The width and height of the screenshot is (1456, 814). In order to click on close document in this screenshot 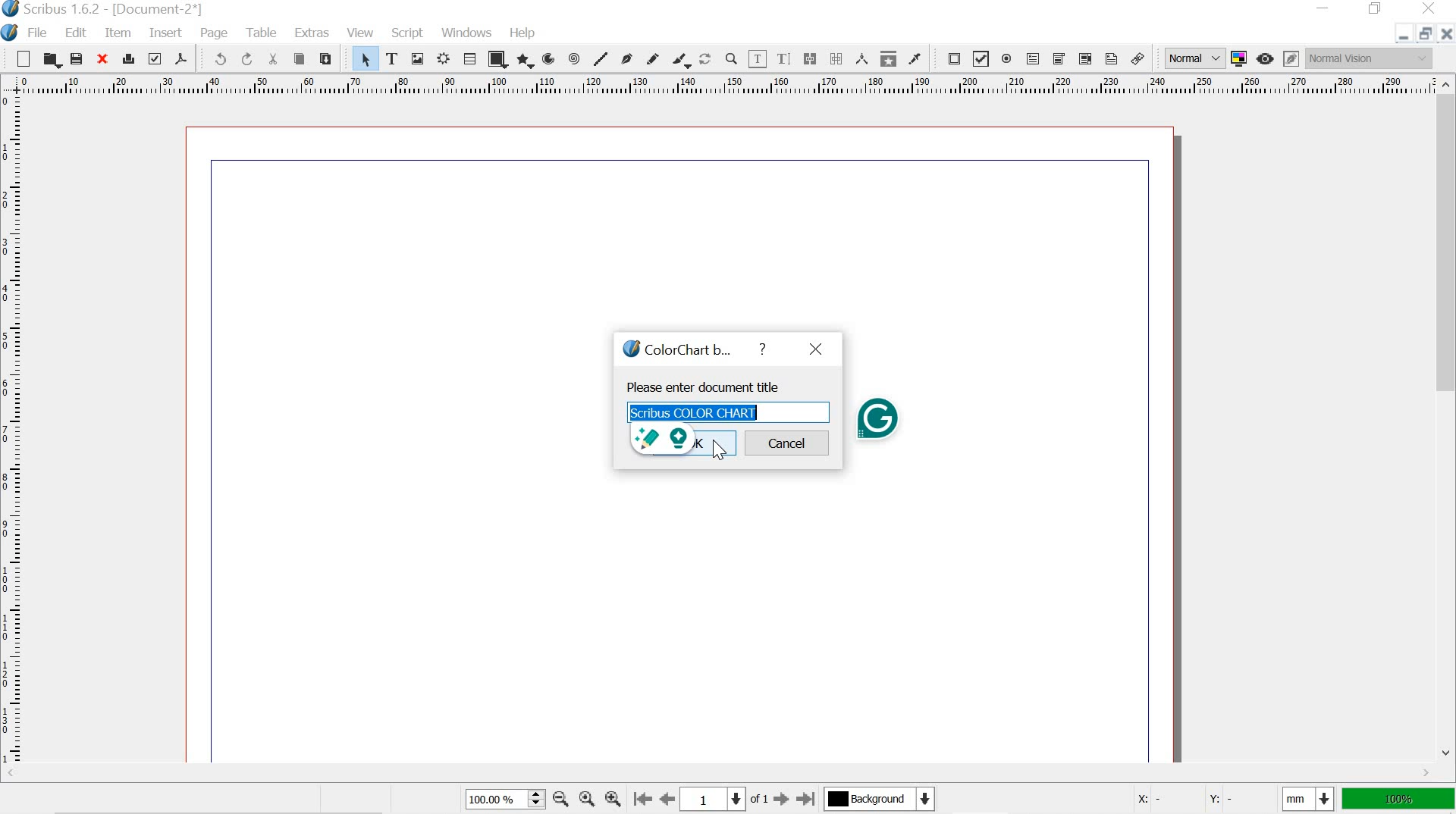, I will do `click(1447, 33)`.